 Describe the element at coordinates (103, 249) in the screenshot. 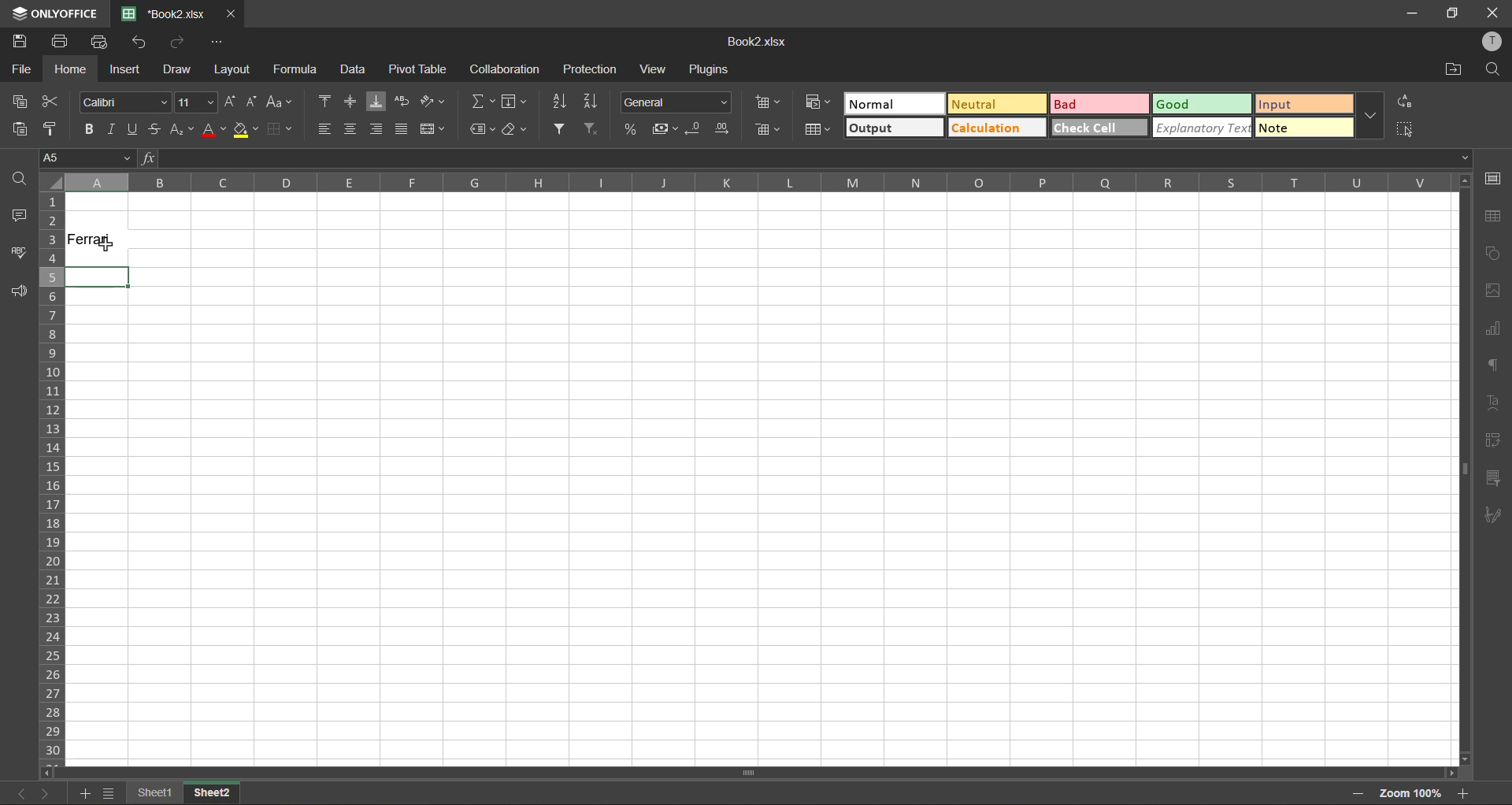

I see `Cursor` at that location.